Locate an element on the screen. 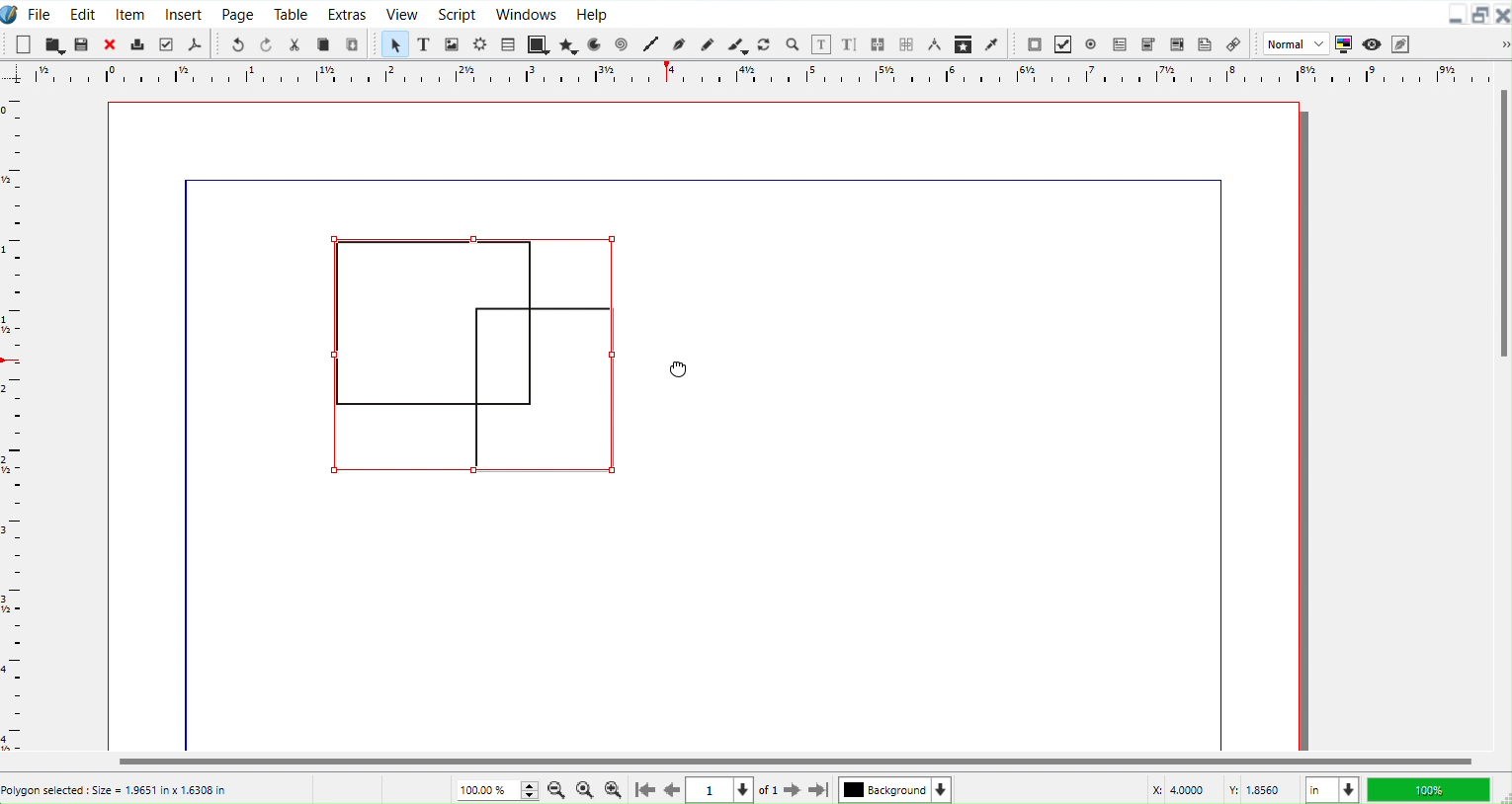 This screenshot has height=804, width=1512. Zoom Out is located at coordinates (557, 789).